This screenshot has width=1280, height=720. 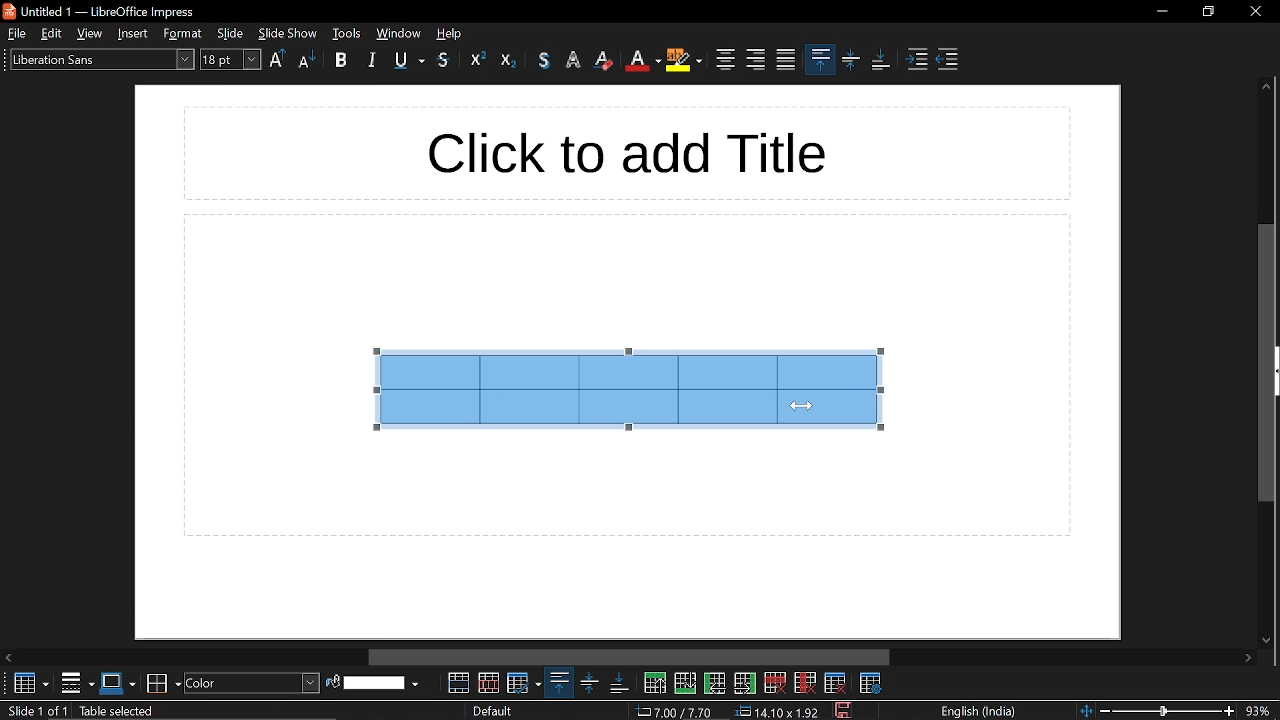 I want to click on highlight, so click(x=685, y=60).